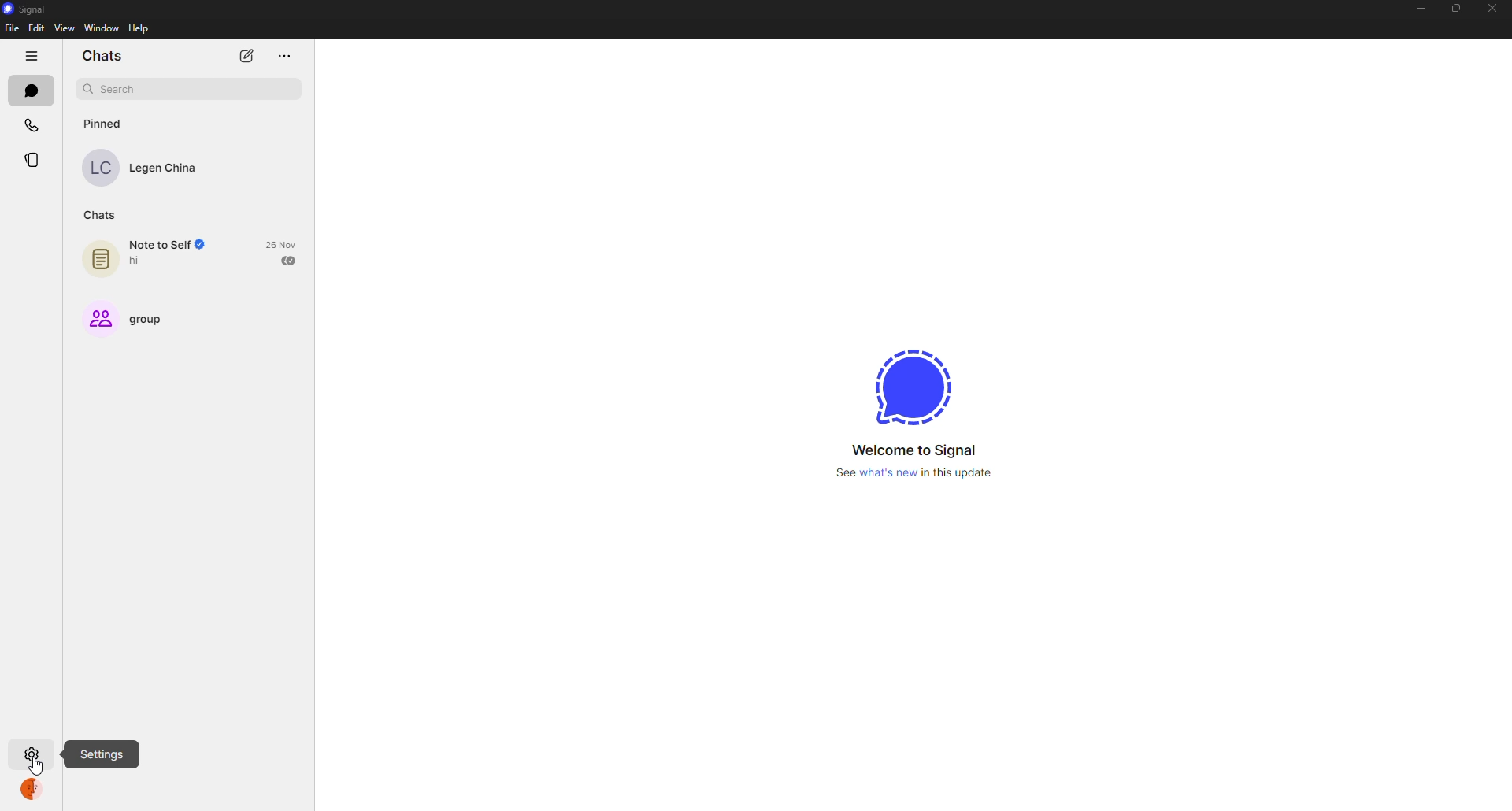 The height and width of the screenshot is (811, 1512). Describe the element at coordinates (246, 56) in the screenshot. I see `new chat` at that location.